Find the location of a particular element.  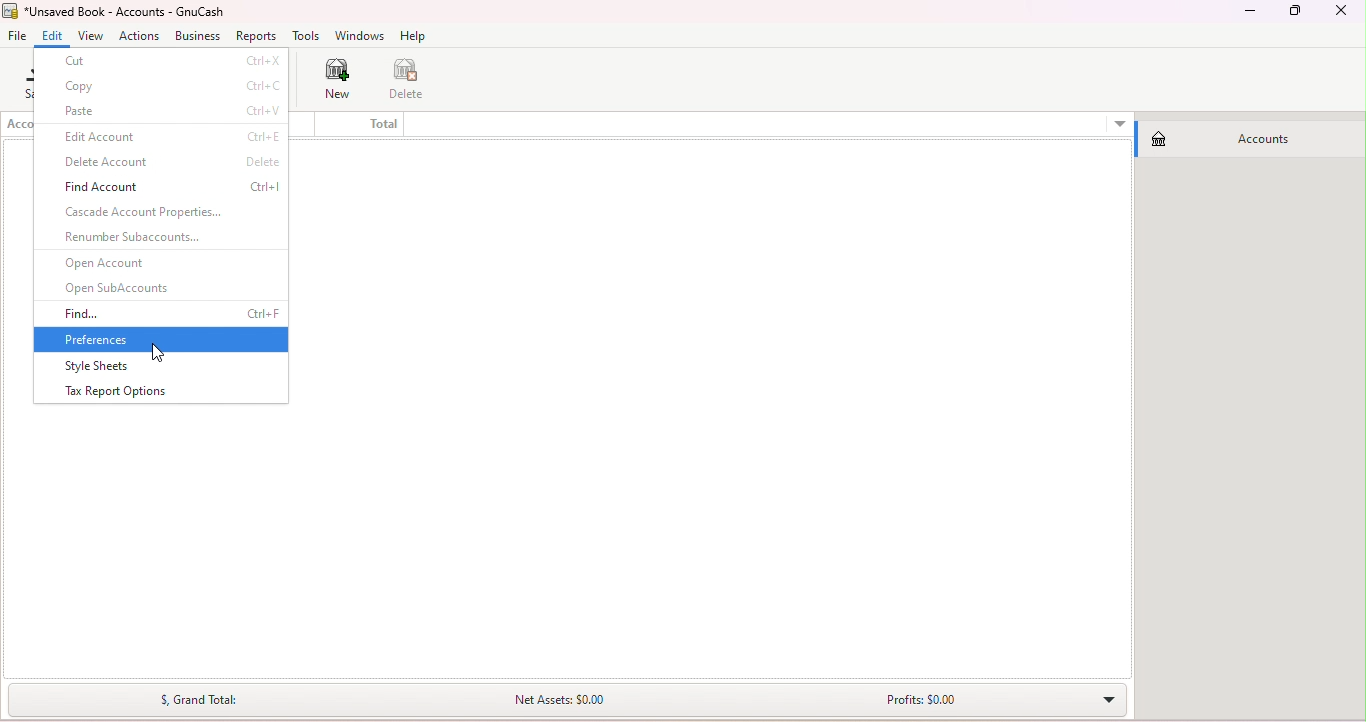

Find is located at coordinates (165, 315).